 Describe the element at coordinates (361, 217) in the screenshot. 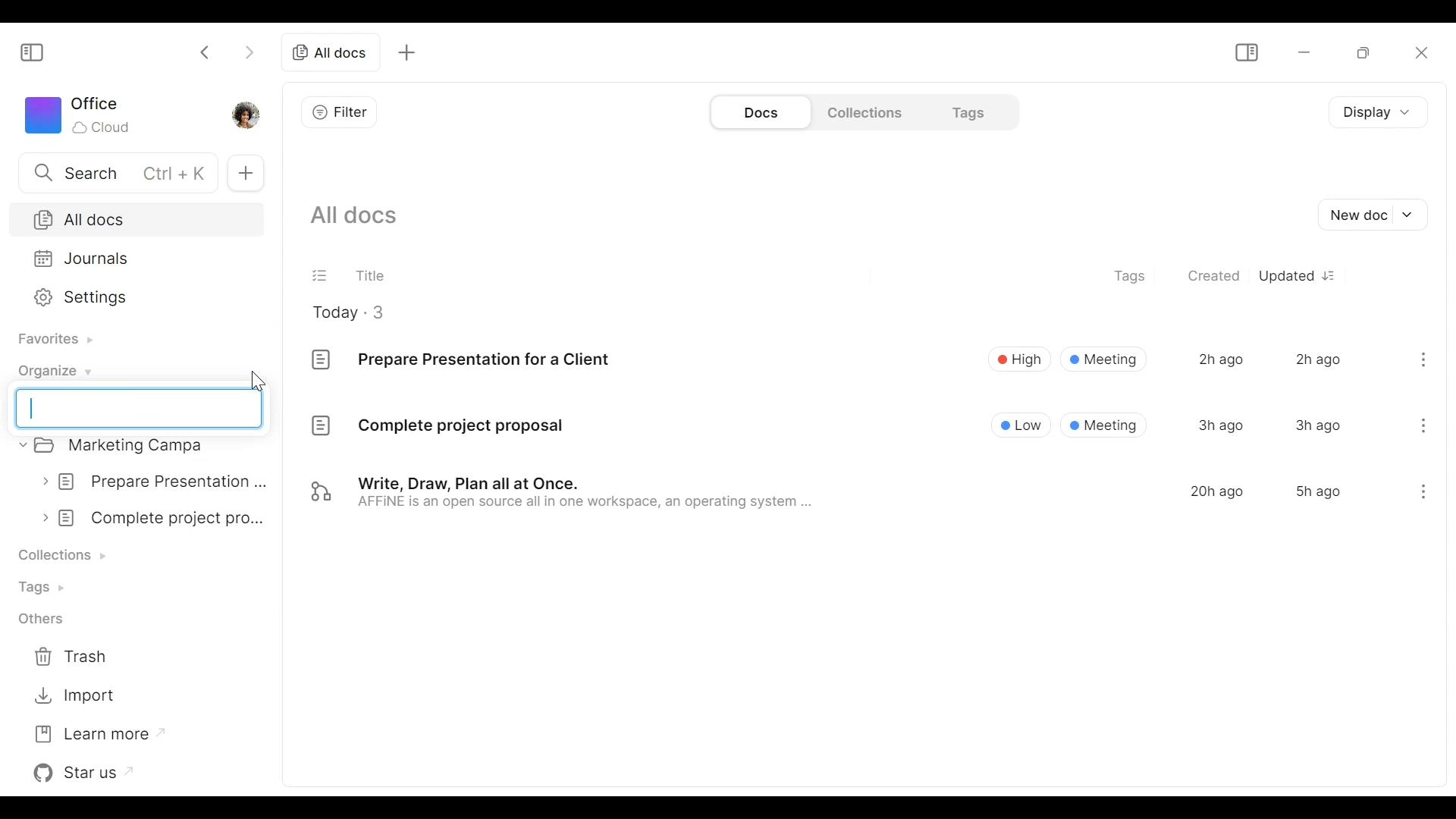

I see `Show all documents` at that location.